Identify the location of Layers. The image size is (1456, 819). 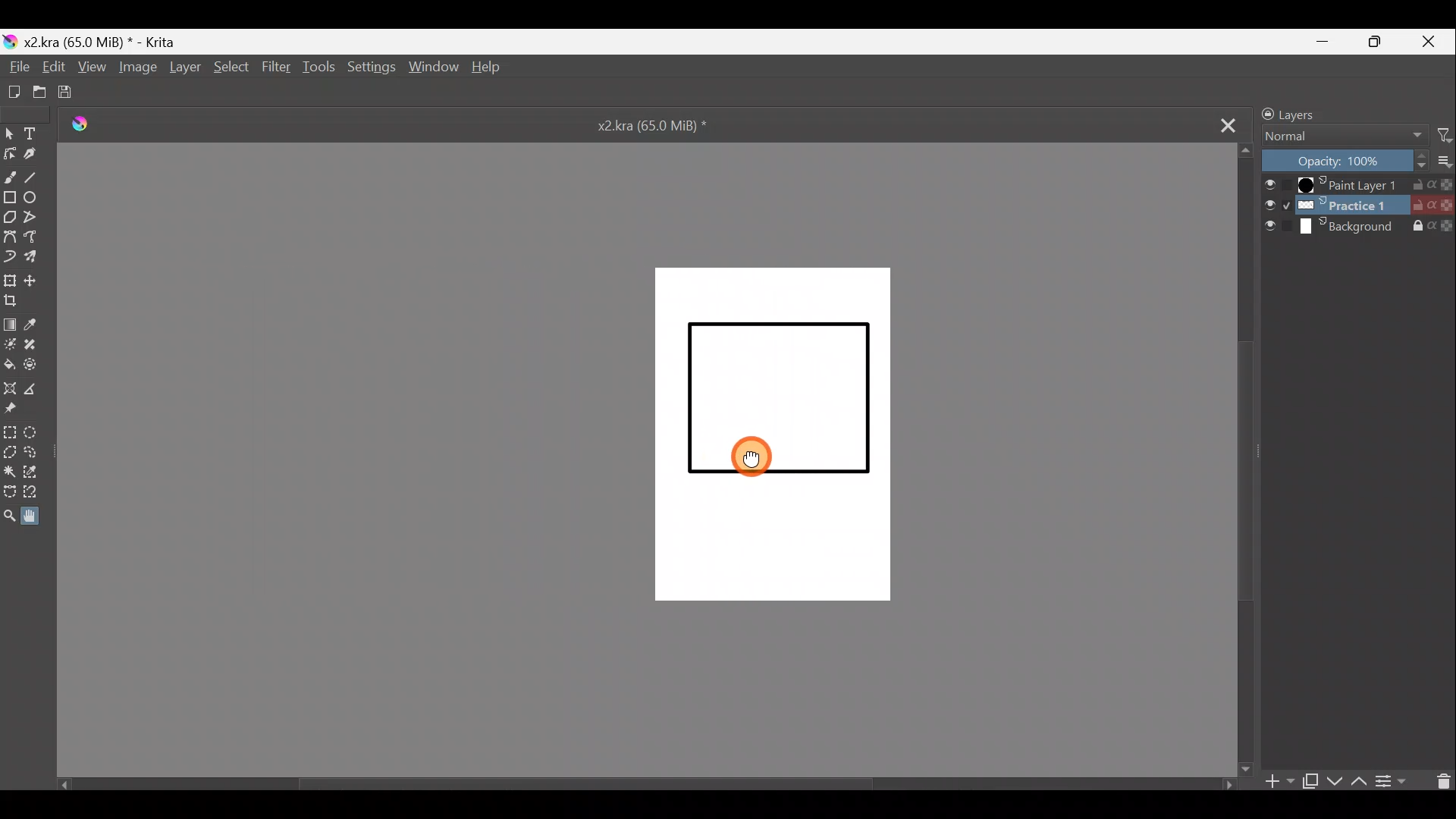
(1323, 114).